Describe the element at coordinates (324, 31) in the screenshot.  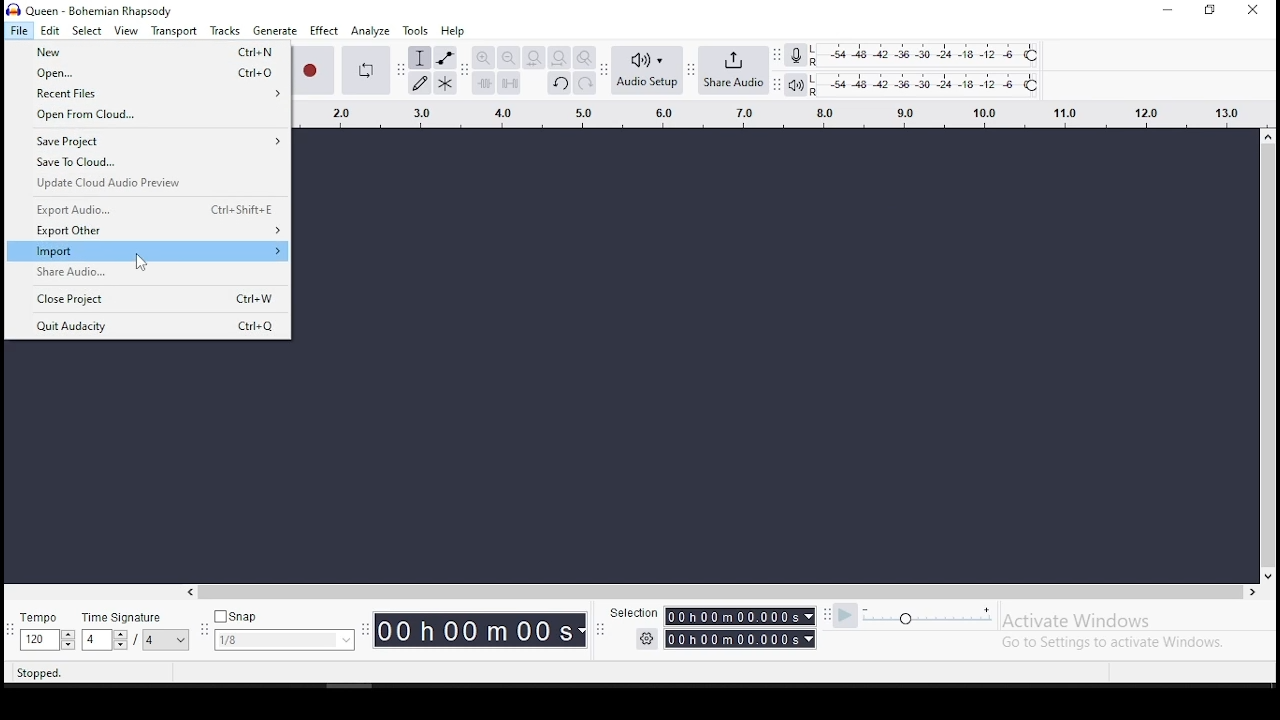
I see `effect` at that location.